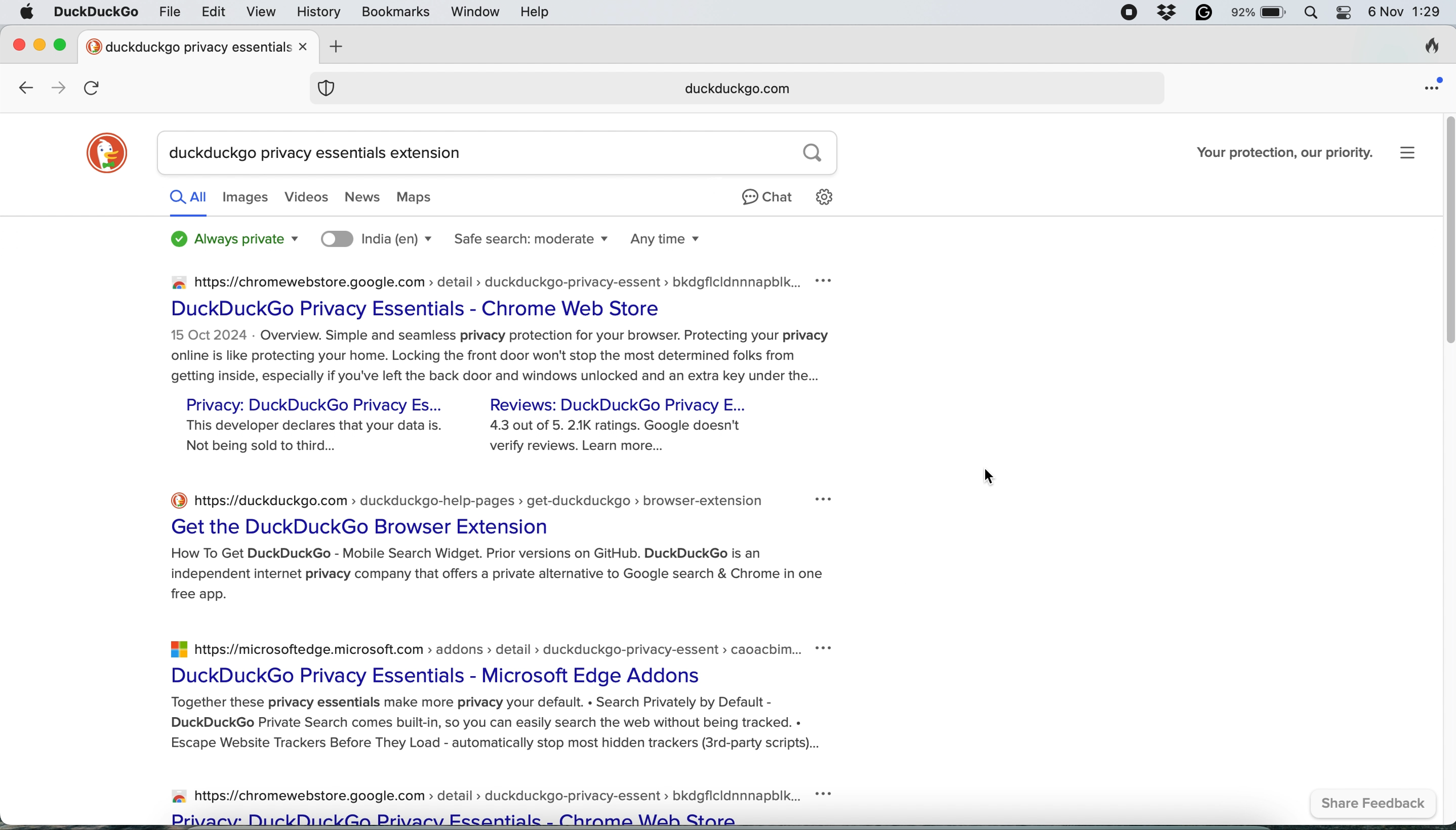 The image size is (1456, 830). I want to click on DuckDuckGo Privacy Essentials - Chrome Web Store, so click(418, 310).